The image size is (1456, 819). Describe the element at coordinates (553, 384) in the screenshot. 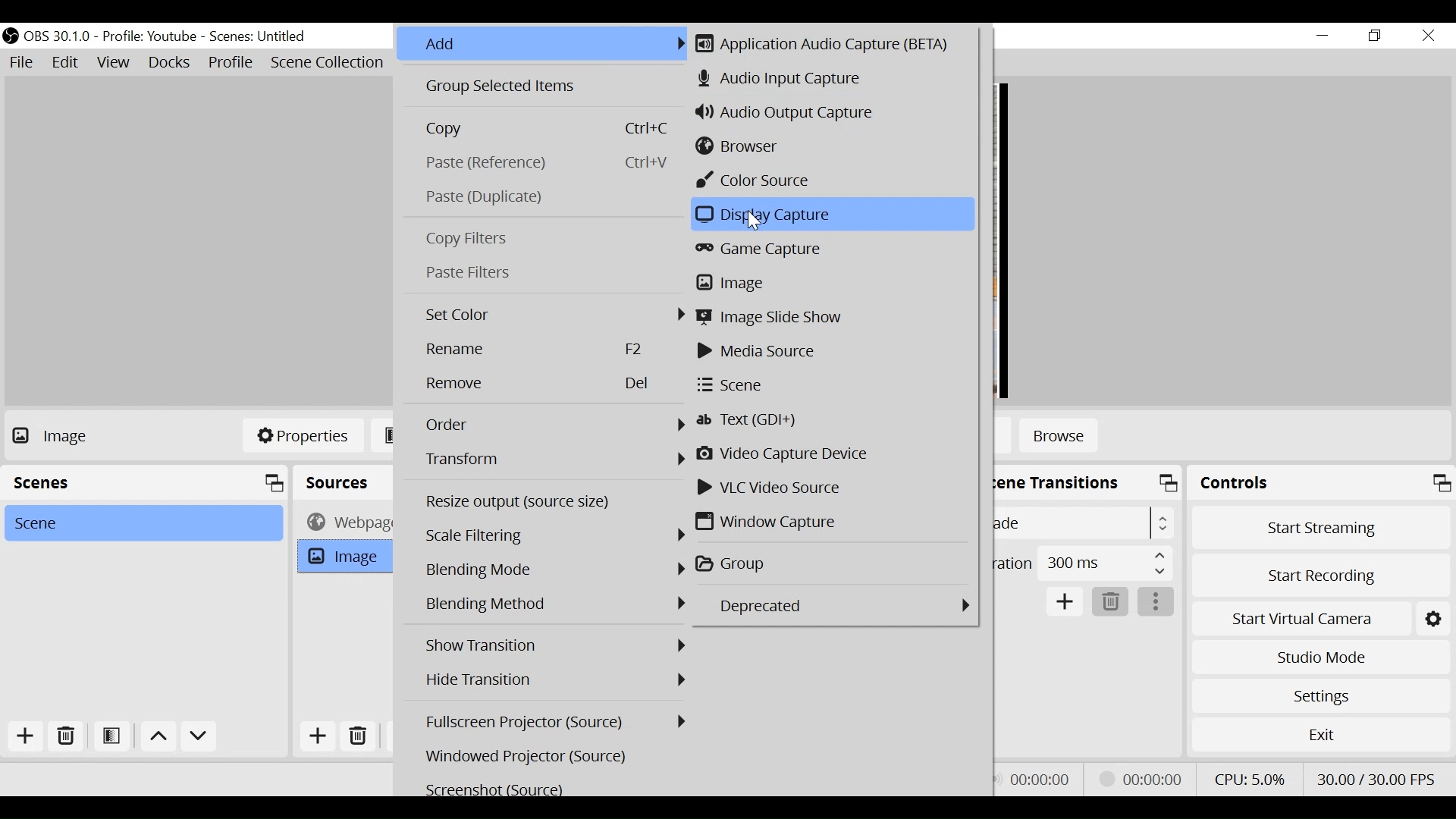

I see `Delete` at that location.